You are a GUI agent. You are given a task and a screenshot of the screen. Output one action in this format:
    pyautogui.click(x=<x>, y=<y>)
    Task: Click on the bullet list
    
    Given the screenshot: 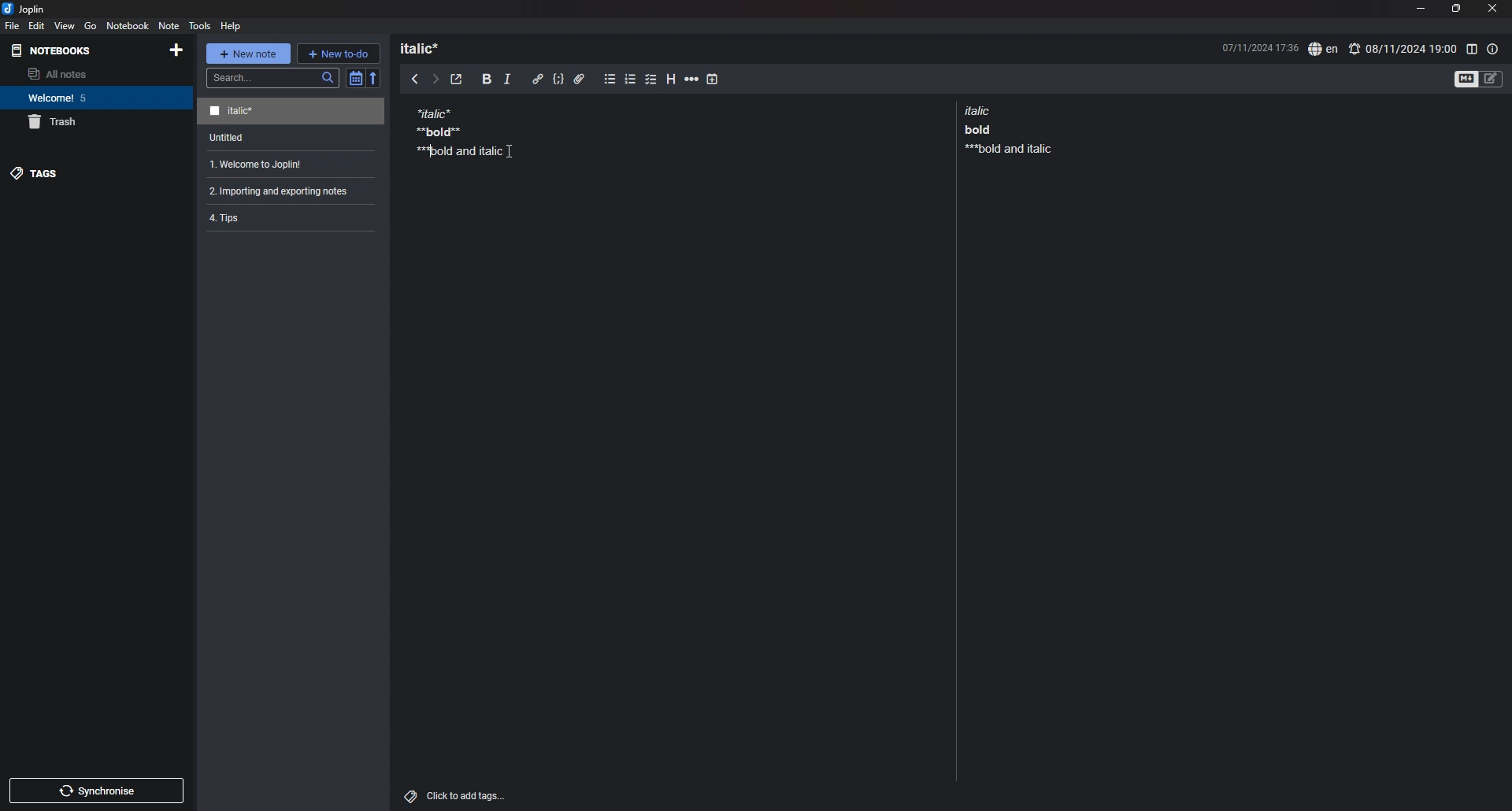 What is the action you would take?
    pyautogui.click(x=610, y=80)
    